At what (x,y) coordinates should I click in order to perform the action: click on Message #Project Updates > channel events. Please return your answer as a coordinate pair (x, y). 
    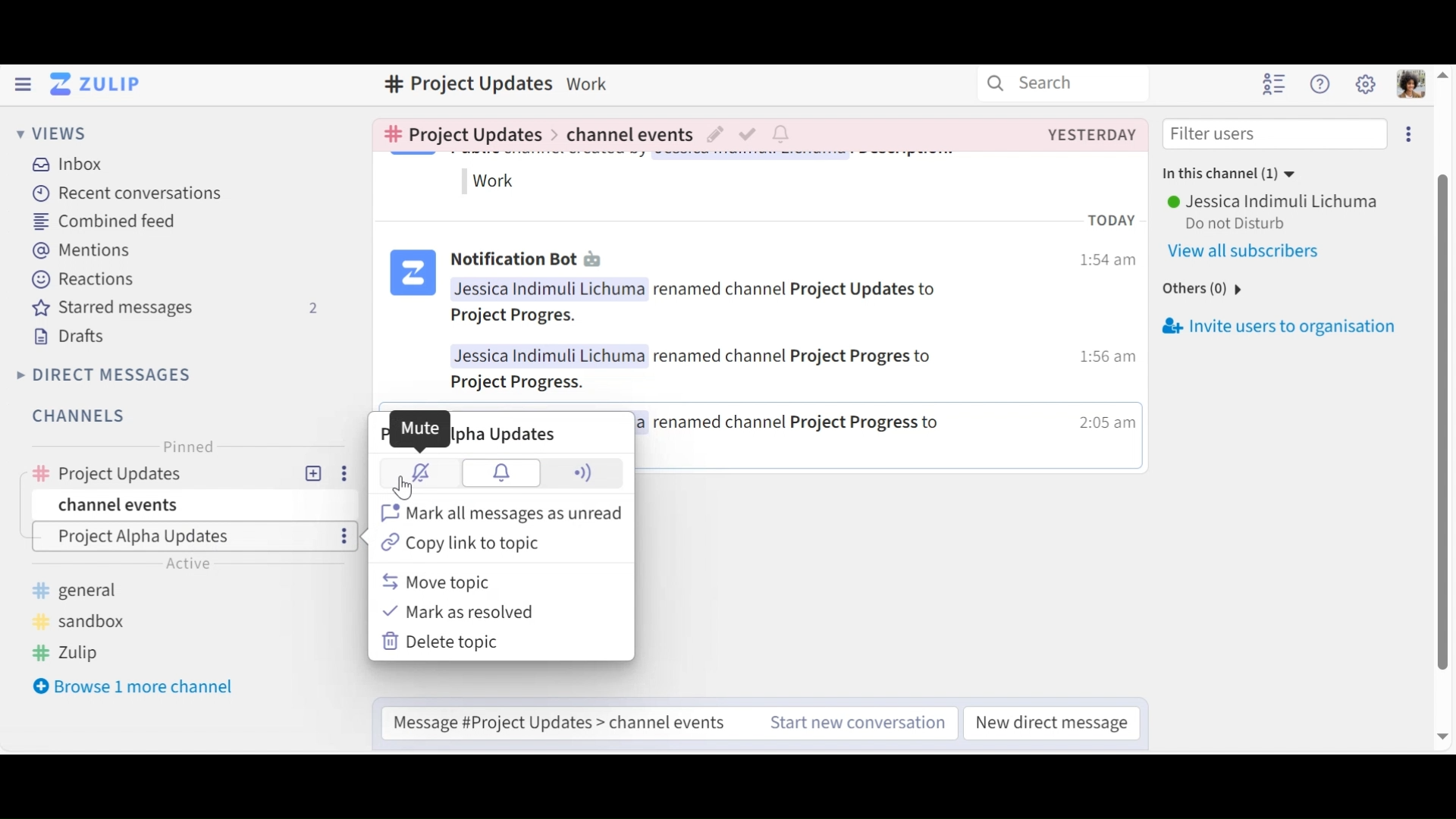
    Looking at the image, I should click on (565, 723).